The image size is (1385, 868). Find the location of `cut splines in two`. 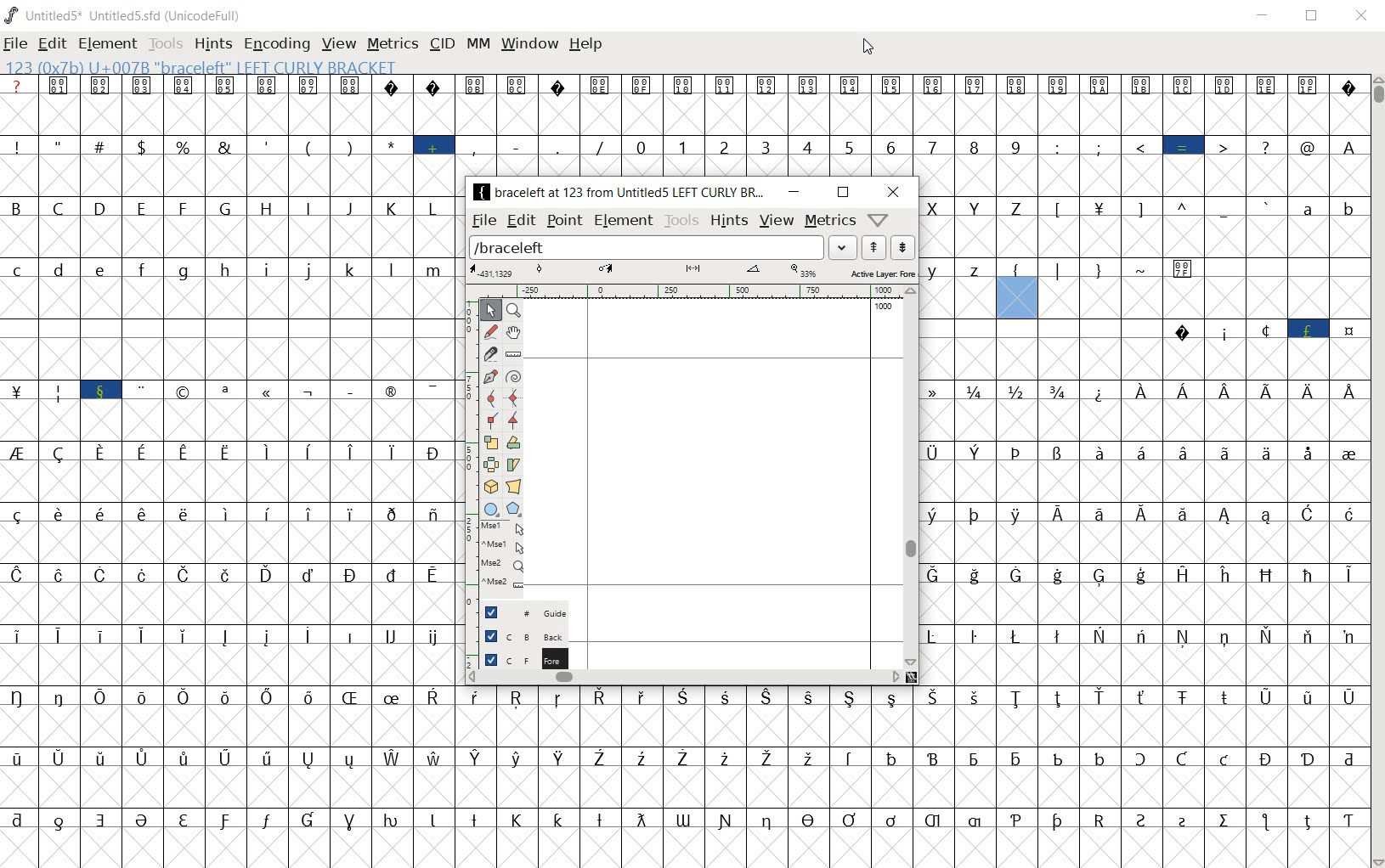

cut splines in two is located at coordinates (488, 353).